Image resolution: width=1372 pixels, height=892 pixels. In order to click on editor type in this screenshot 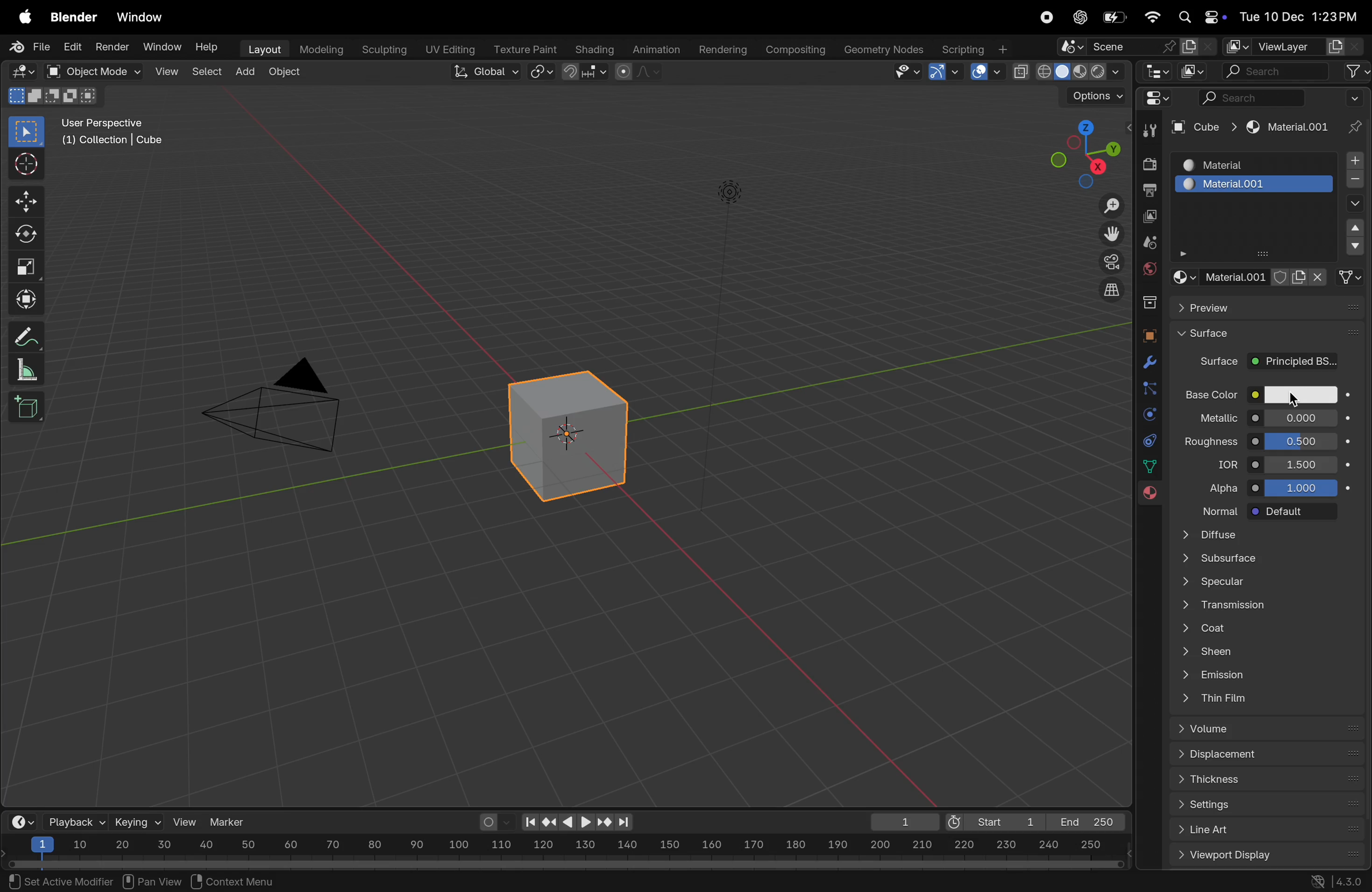, I will do `click(1162, 101)`.